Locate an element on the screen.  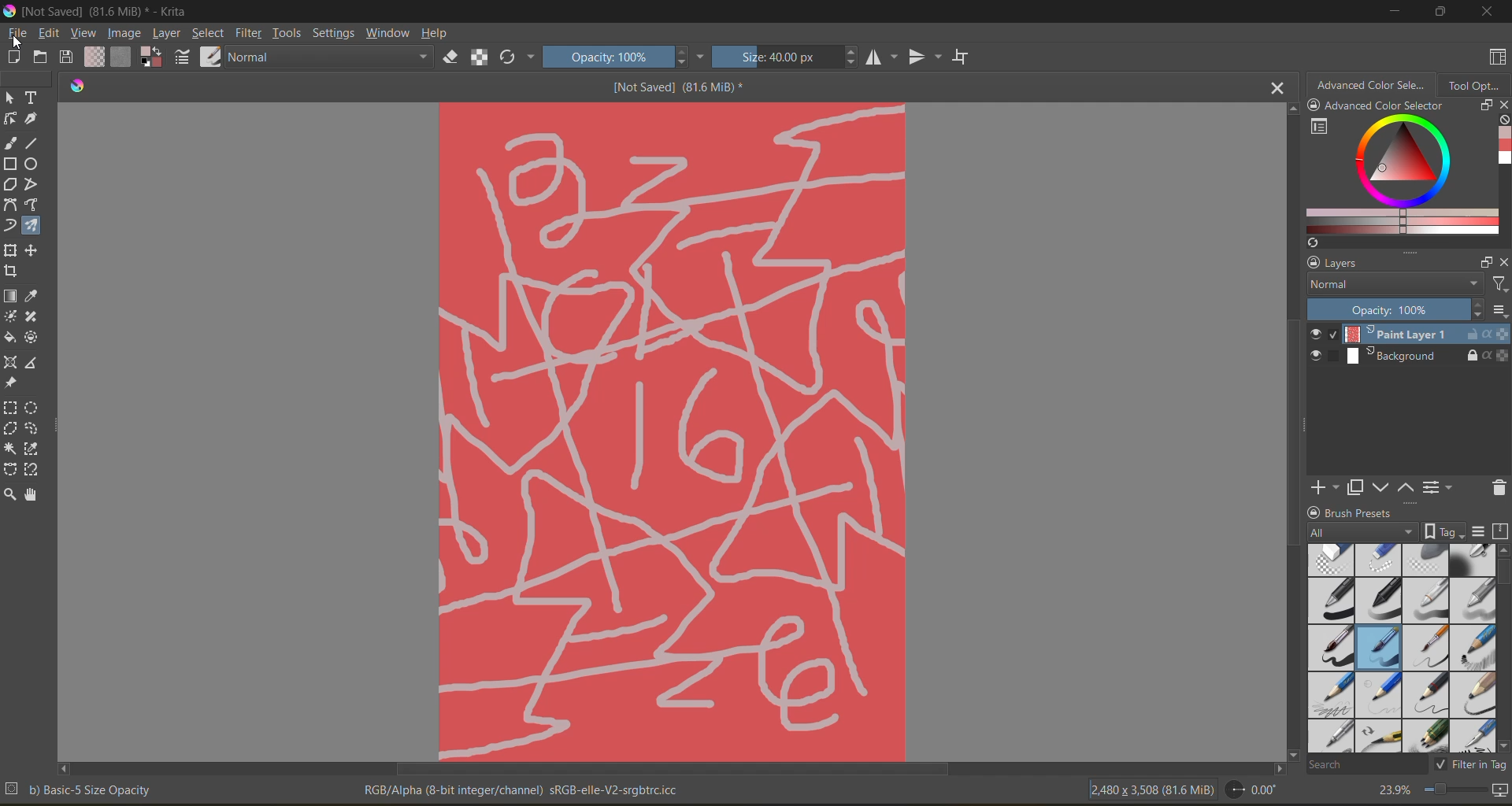
close is located at coordinates (1503, 106).